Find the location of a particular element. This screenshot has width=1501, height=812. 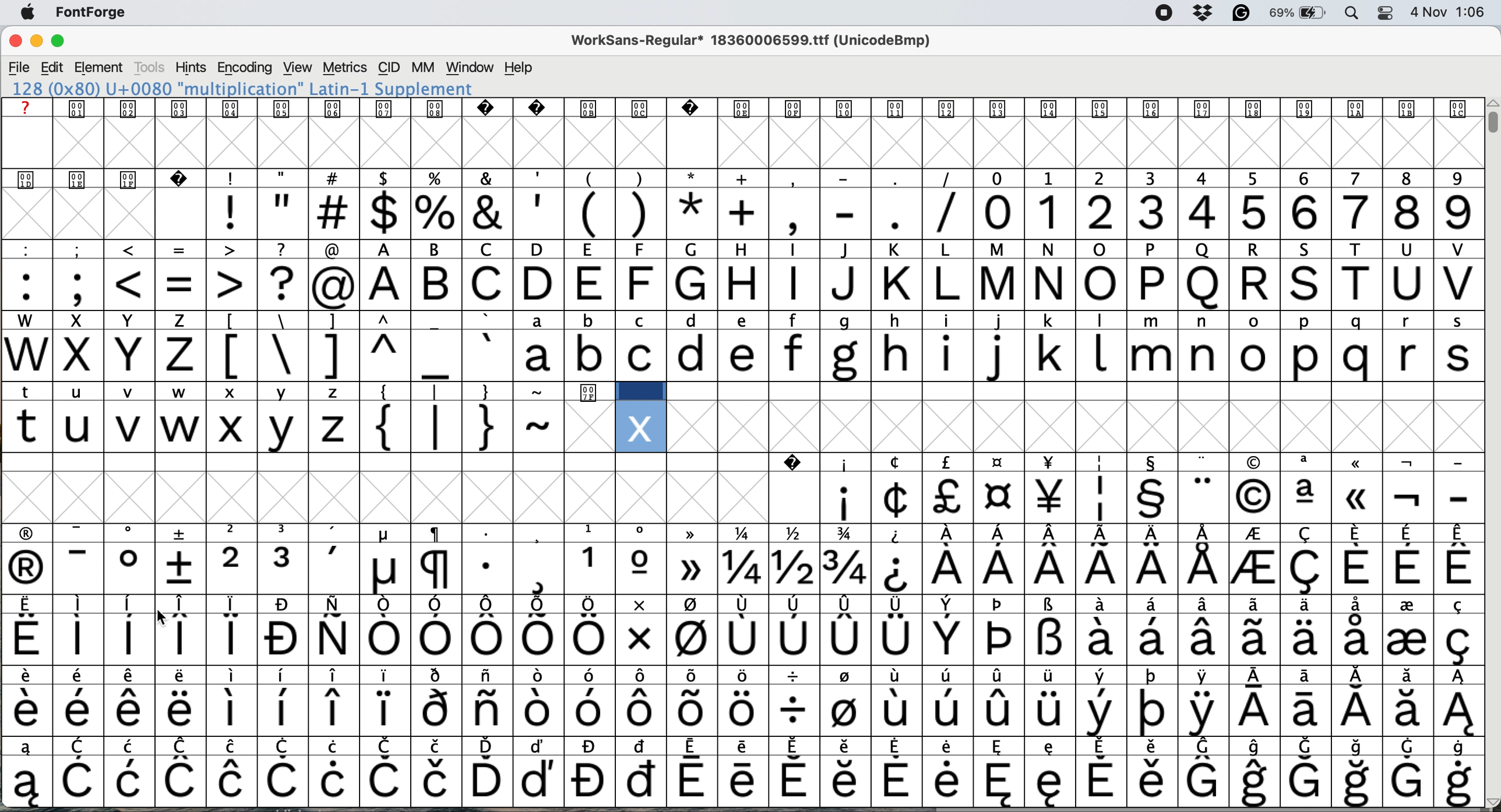

capital letters w to z is located at coordinates (100, 357).